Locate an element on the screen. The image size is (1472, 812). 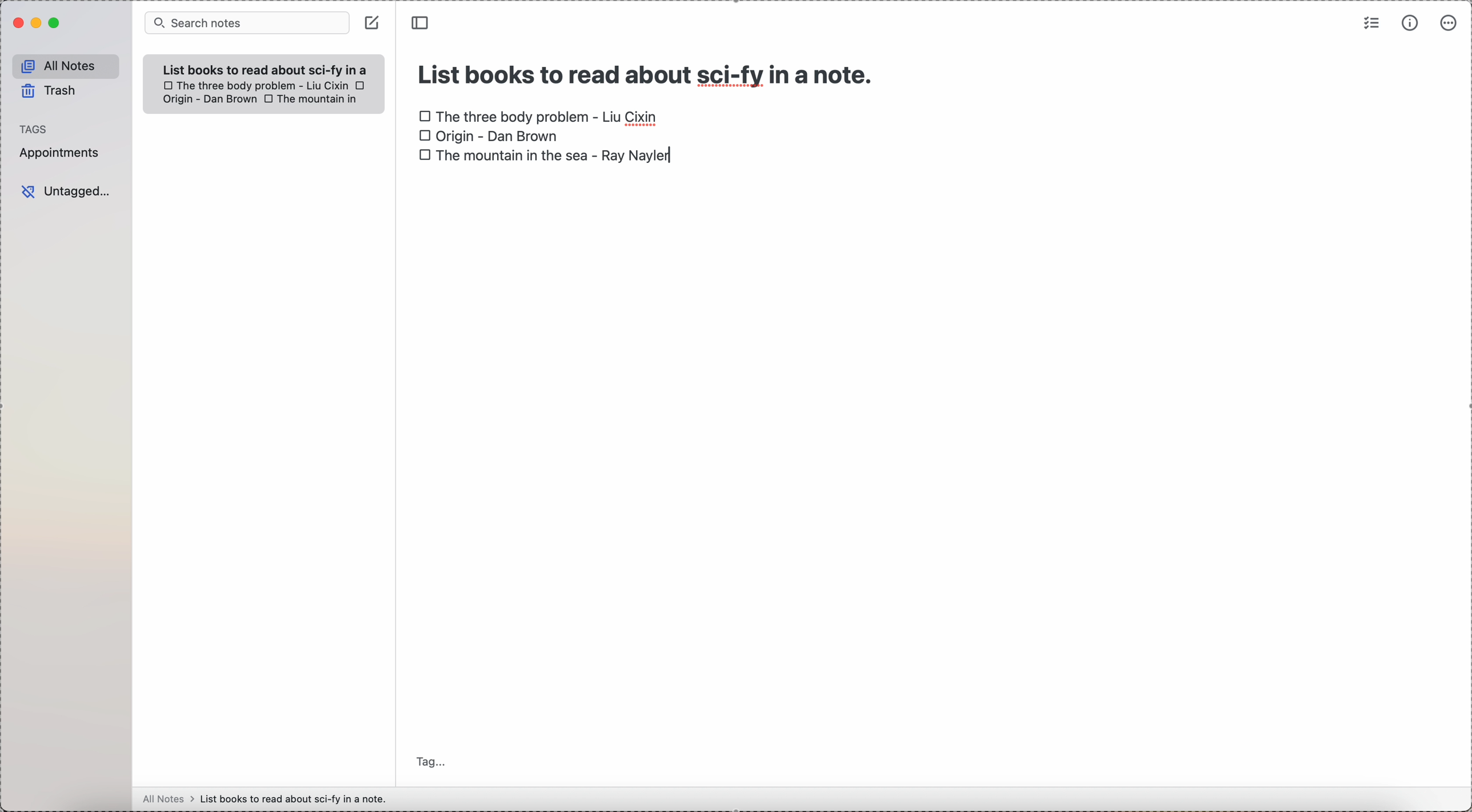
tags is located at coordinates (35, 127).